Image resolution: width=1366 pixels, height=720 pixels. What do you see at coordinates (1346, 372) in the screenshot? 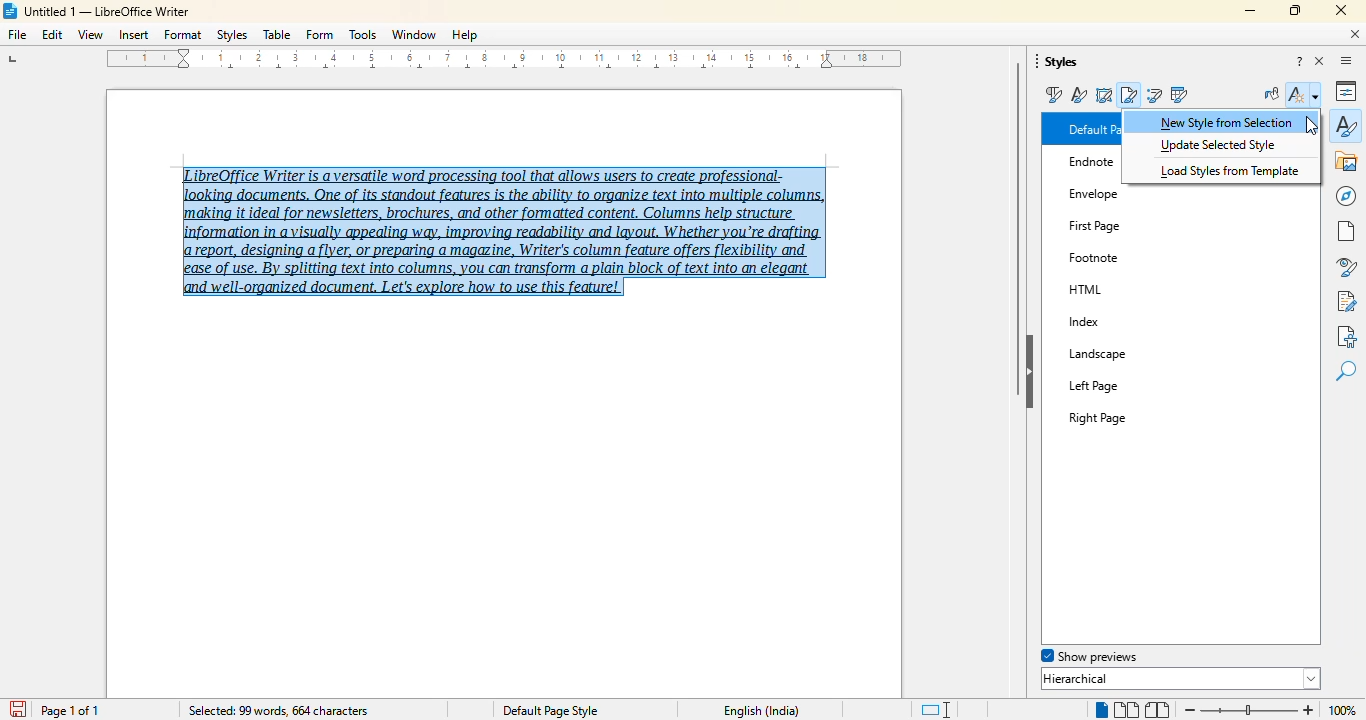
I see `find` at bounding box center [1346, 372].